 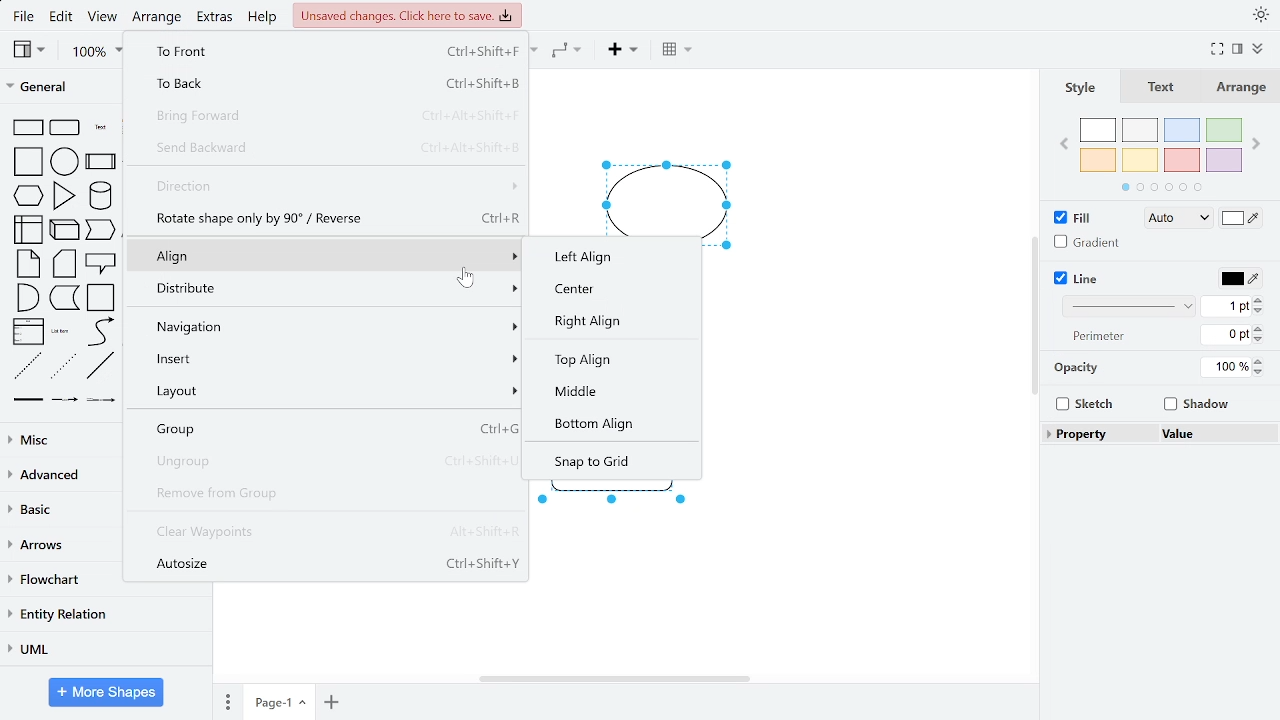 I want to click on flowchart, so click(x=61, y=581).